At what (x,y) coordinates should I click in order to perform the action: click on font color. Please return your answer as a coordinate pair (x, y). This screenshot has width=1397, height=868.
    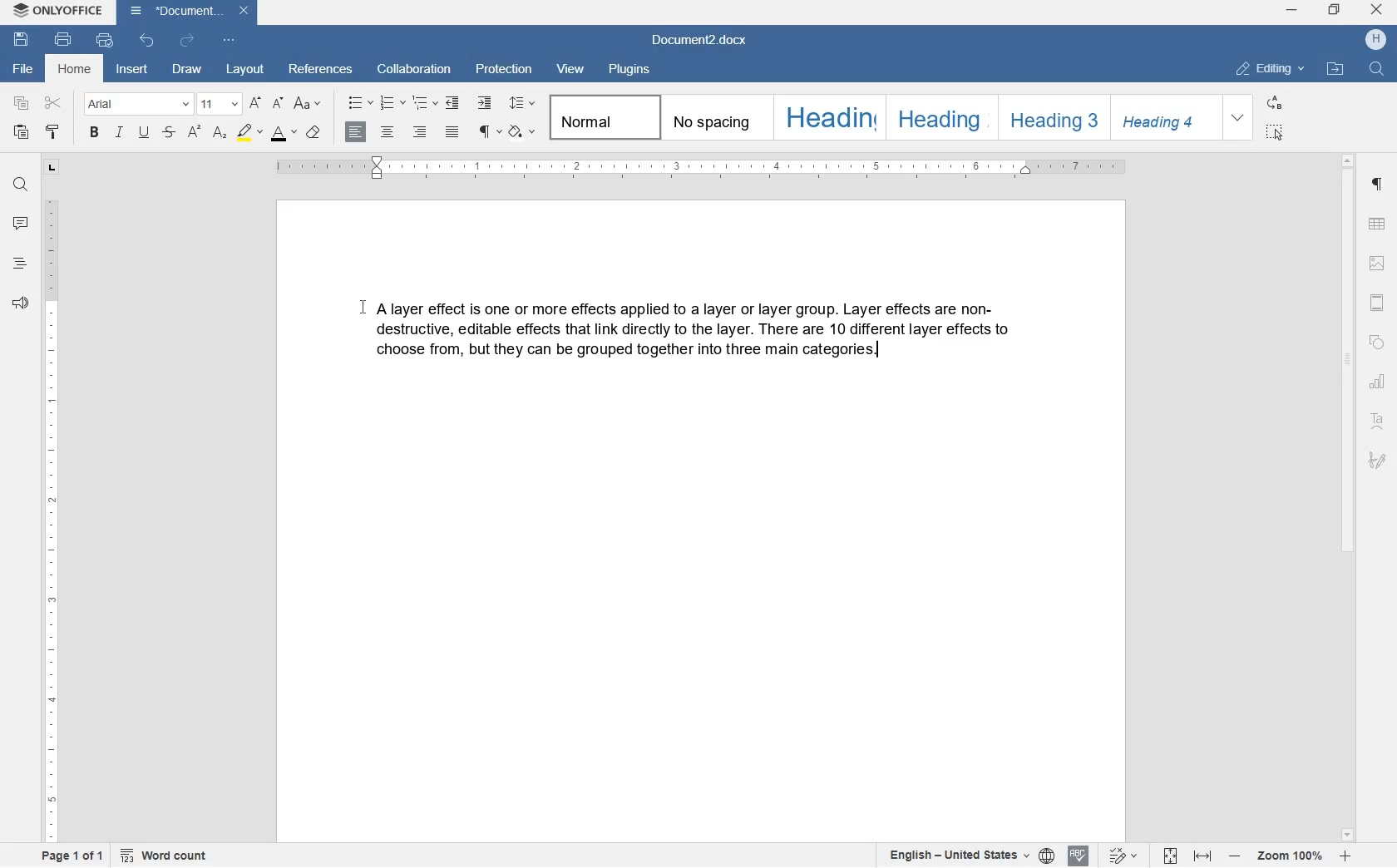
    Looking at the image, I should click on (283, 134).